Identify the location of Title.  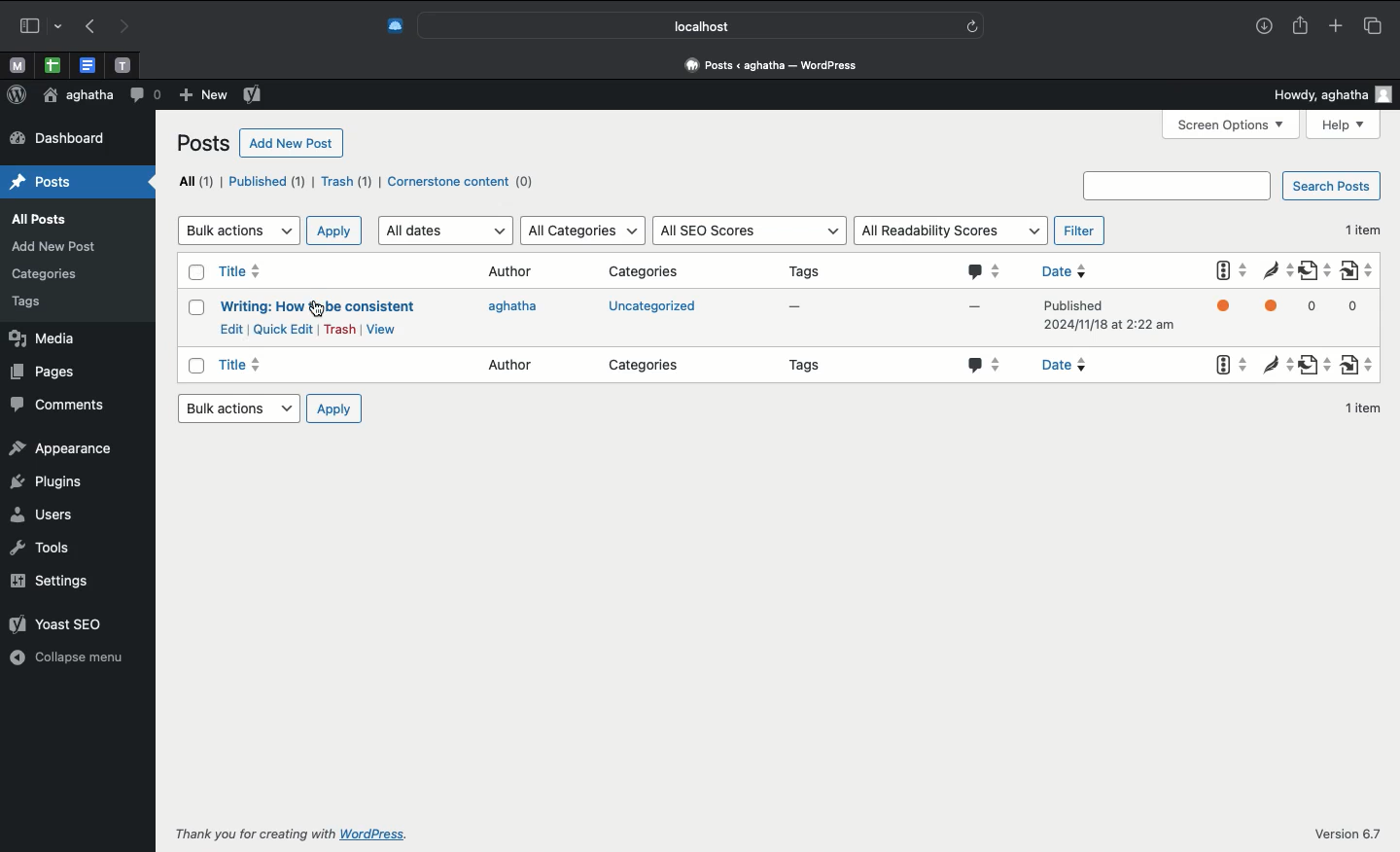
(316, 306).